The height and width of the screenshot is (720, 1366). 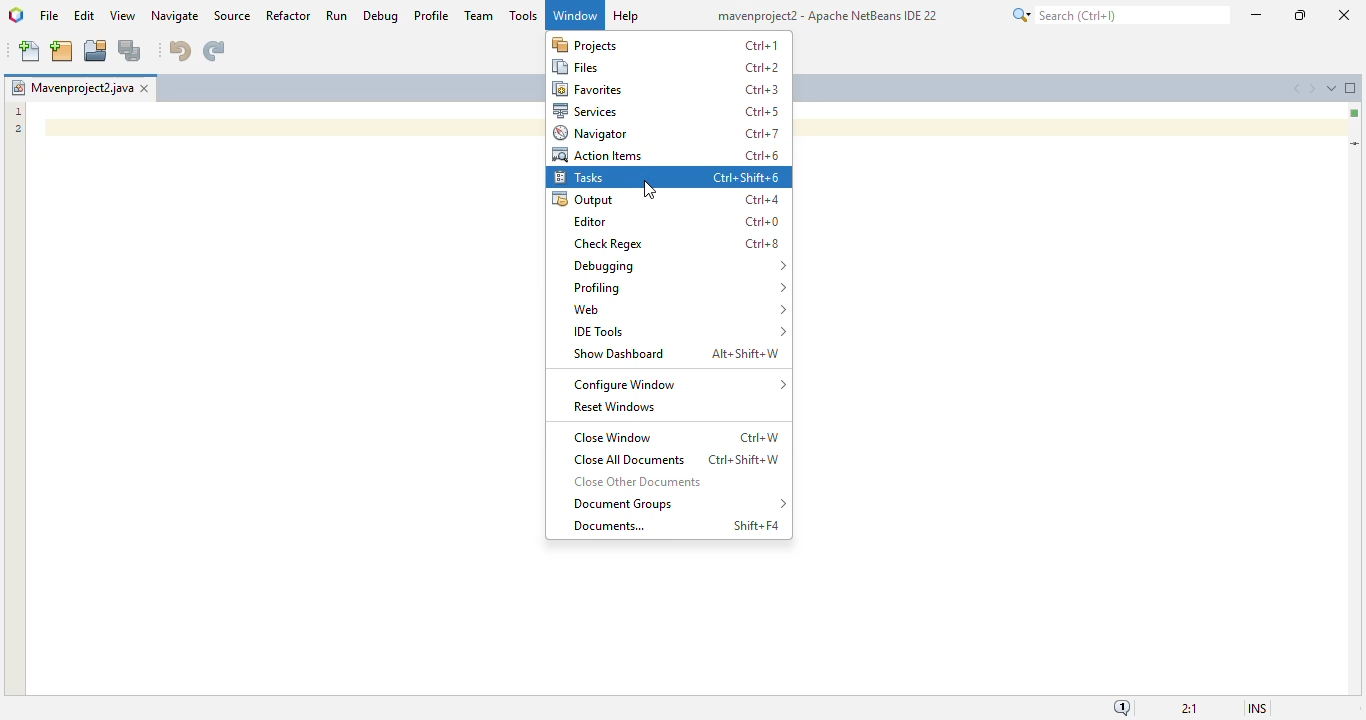 What do you see at coordinates (1122, 707) in the screenshot?
I see `notifications` at bounding box center [1122, 707].